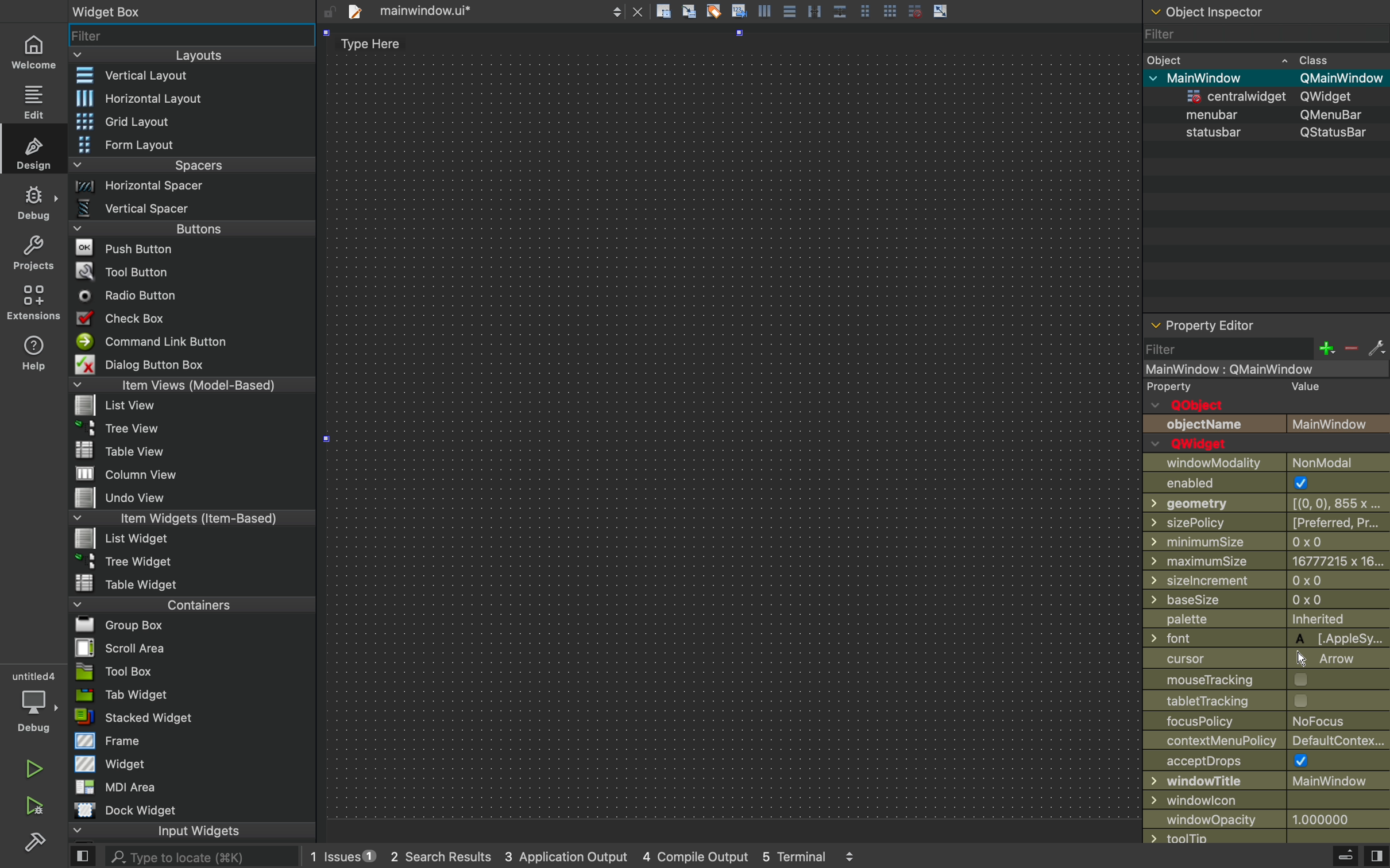 This screenshot has width=1390, height=868. I want to click on debug menu, so click(1332, 857).